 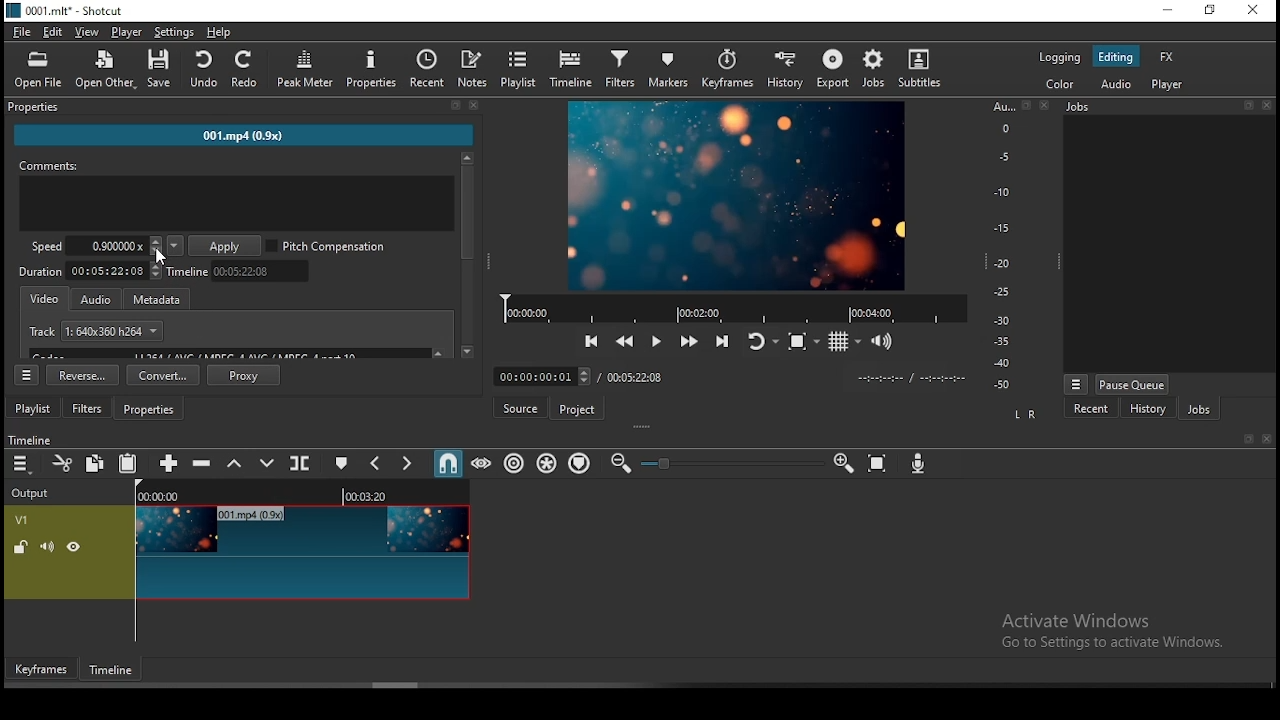 What do you see at coordinates (1132, 386) in the screenshot?
I see `pause queue` at bounding box center [1132, 386].